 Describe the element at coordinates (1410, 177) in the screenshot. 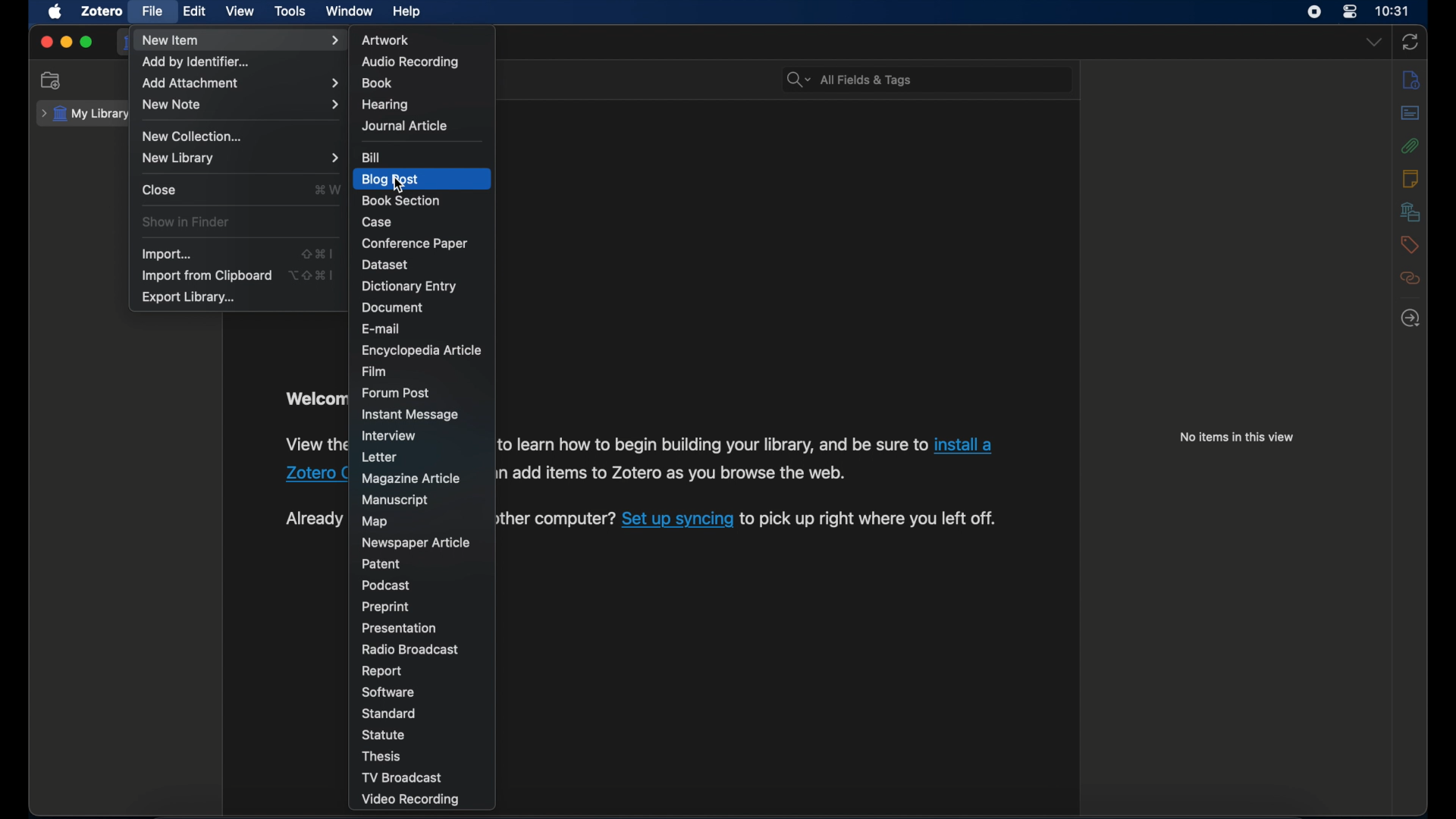

I see `notes` at that location.